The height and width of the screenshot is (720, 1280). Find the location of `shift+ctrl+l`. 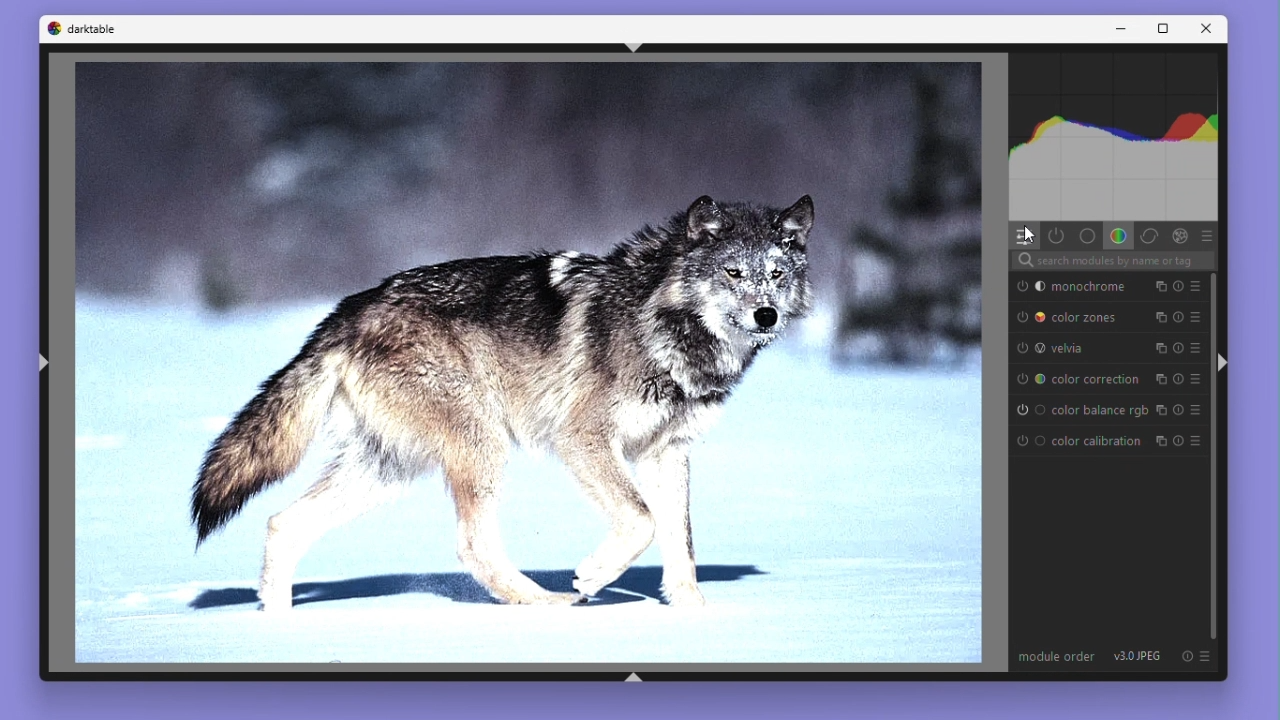

shift+ctrl+l is located at coordinates (50, 362).